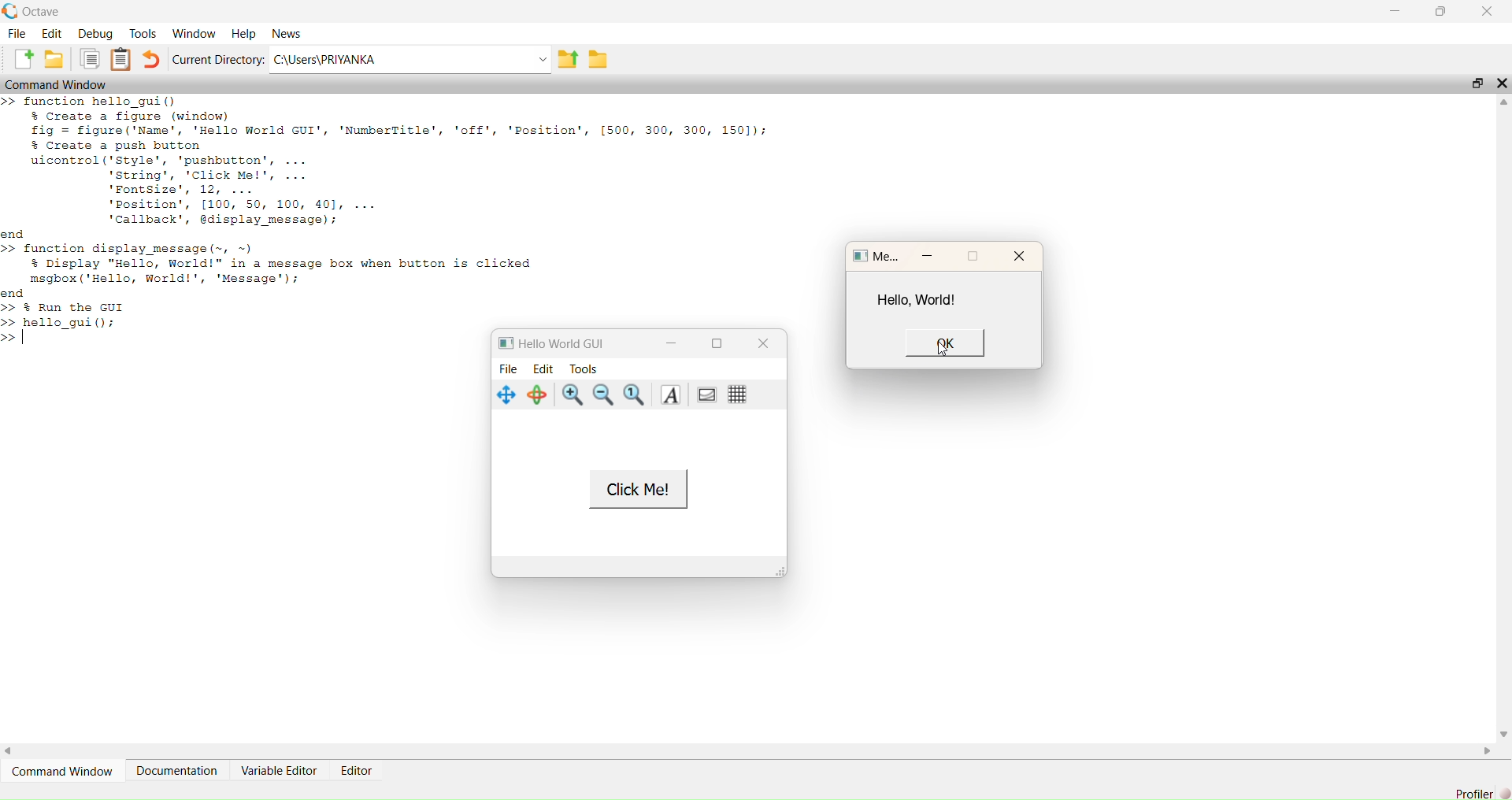 The image size is (1512, 800). I want to click on Hello, World!, so click(919, 299).